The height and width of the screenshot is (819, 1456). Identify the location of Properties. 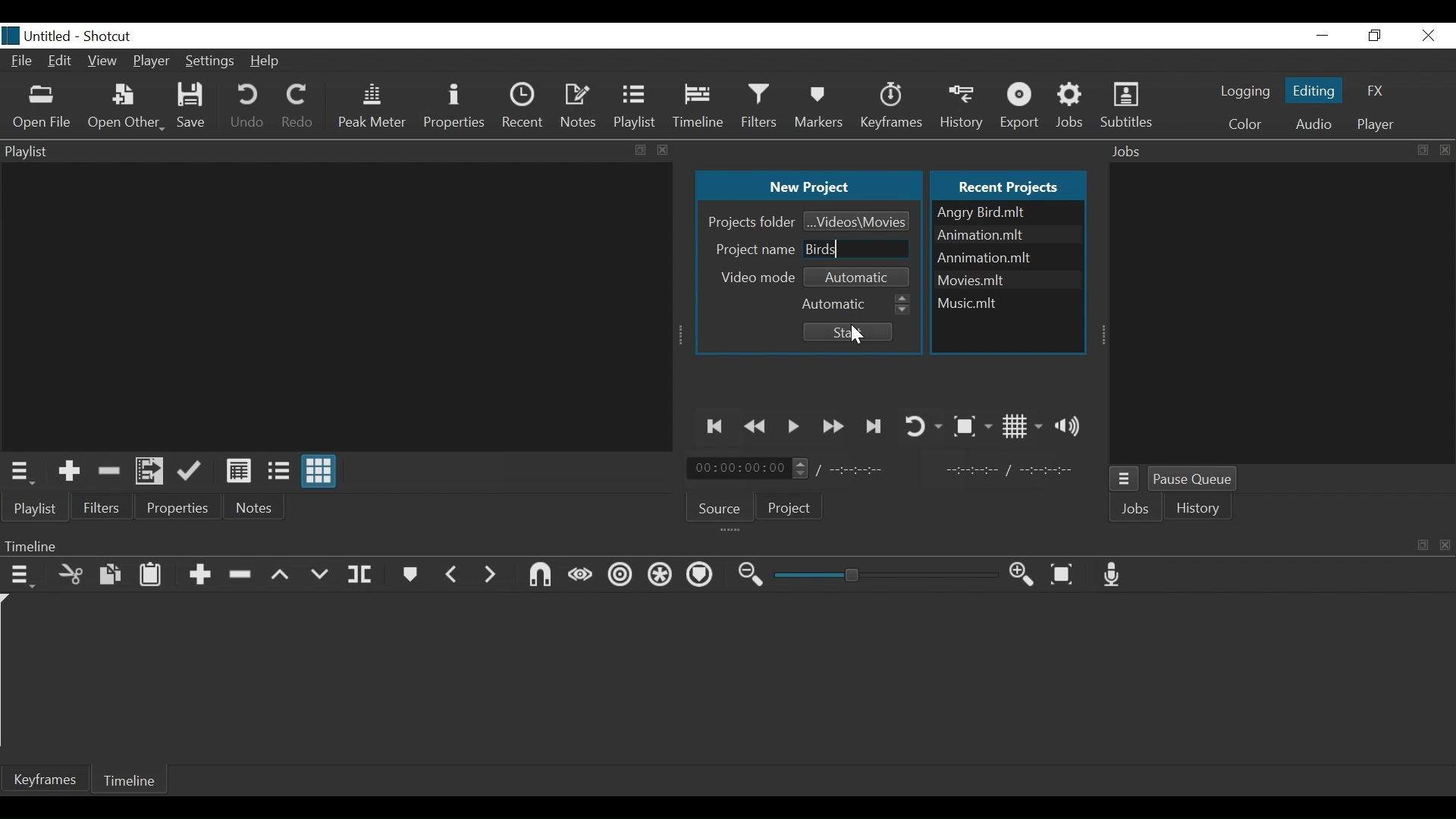
(453, 106).